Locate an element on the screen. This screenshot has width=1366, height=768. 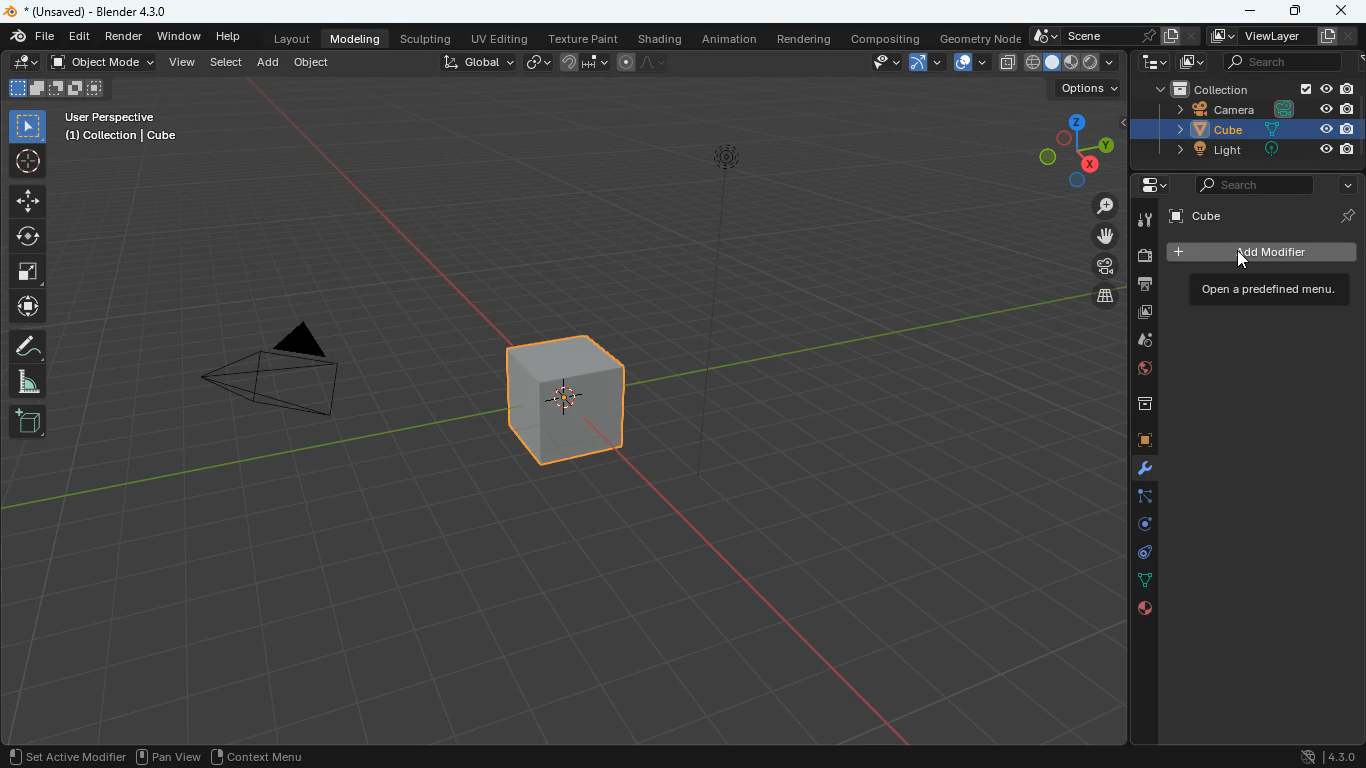
uv editing is located at coordinates (498, 37).